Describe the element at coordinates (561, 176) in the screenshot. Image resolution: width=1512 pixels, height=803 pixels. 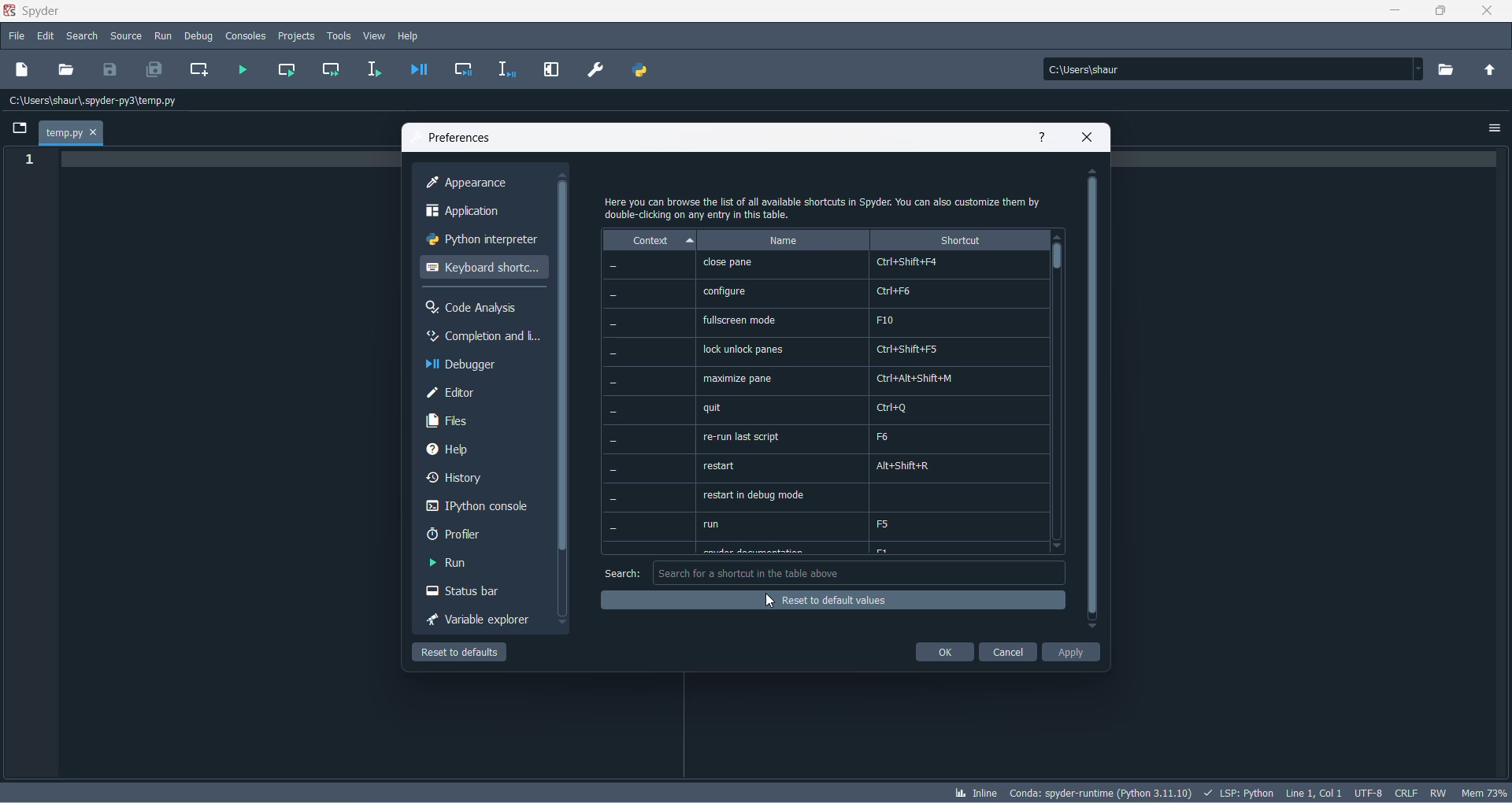
I see `move up` at that location.